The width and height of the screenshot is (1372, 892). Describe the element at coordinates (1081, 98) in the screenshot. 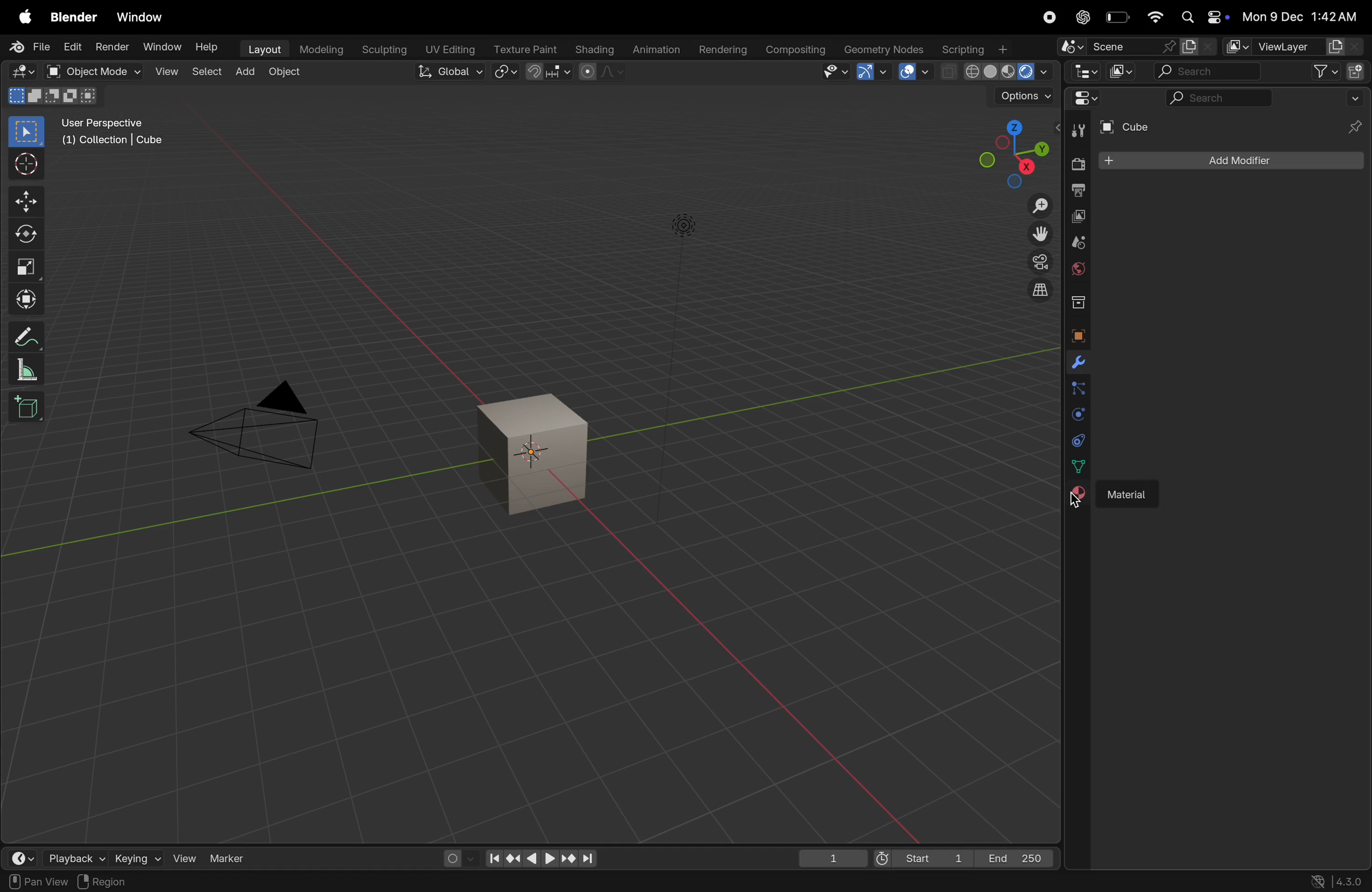

I see `editor type` at that location.